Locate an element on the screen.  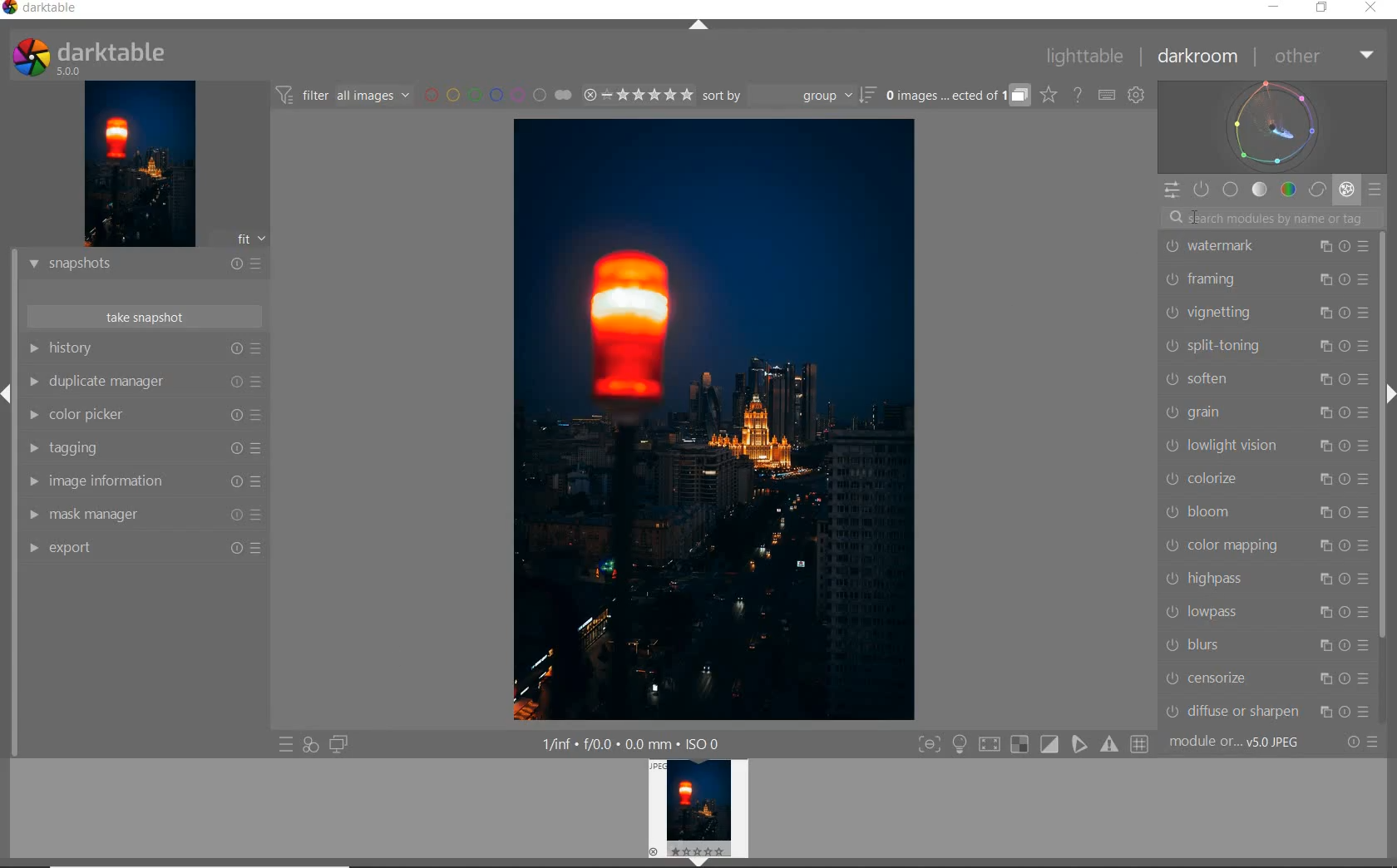
SEARCH MODULE BY NAME is located at coordinates (1273, 217).